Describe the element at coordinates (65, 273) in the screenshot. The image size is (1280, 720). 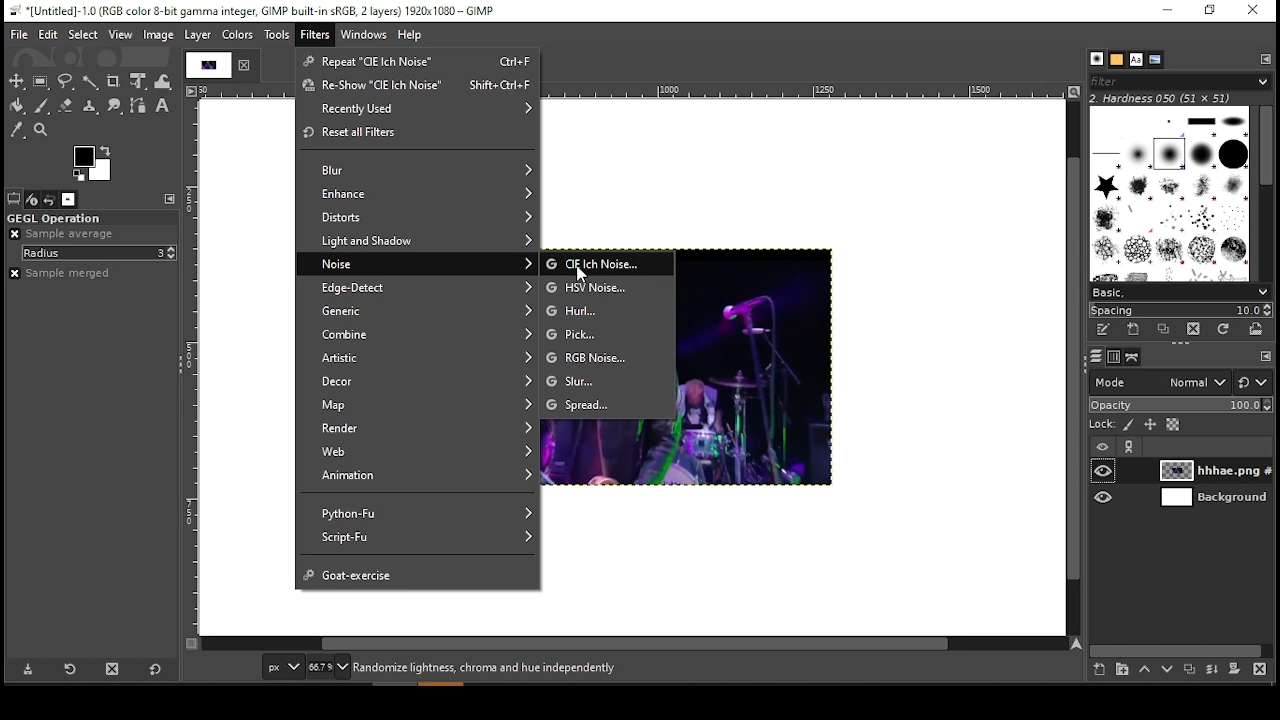
I see `sample merged` at that location.